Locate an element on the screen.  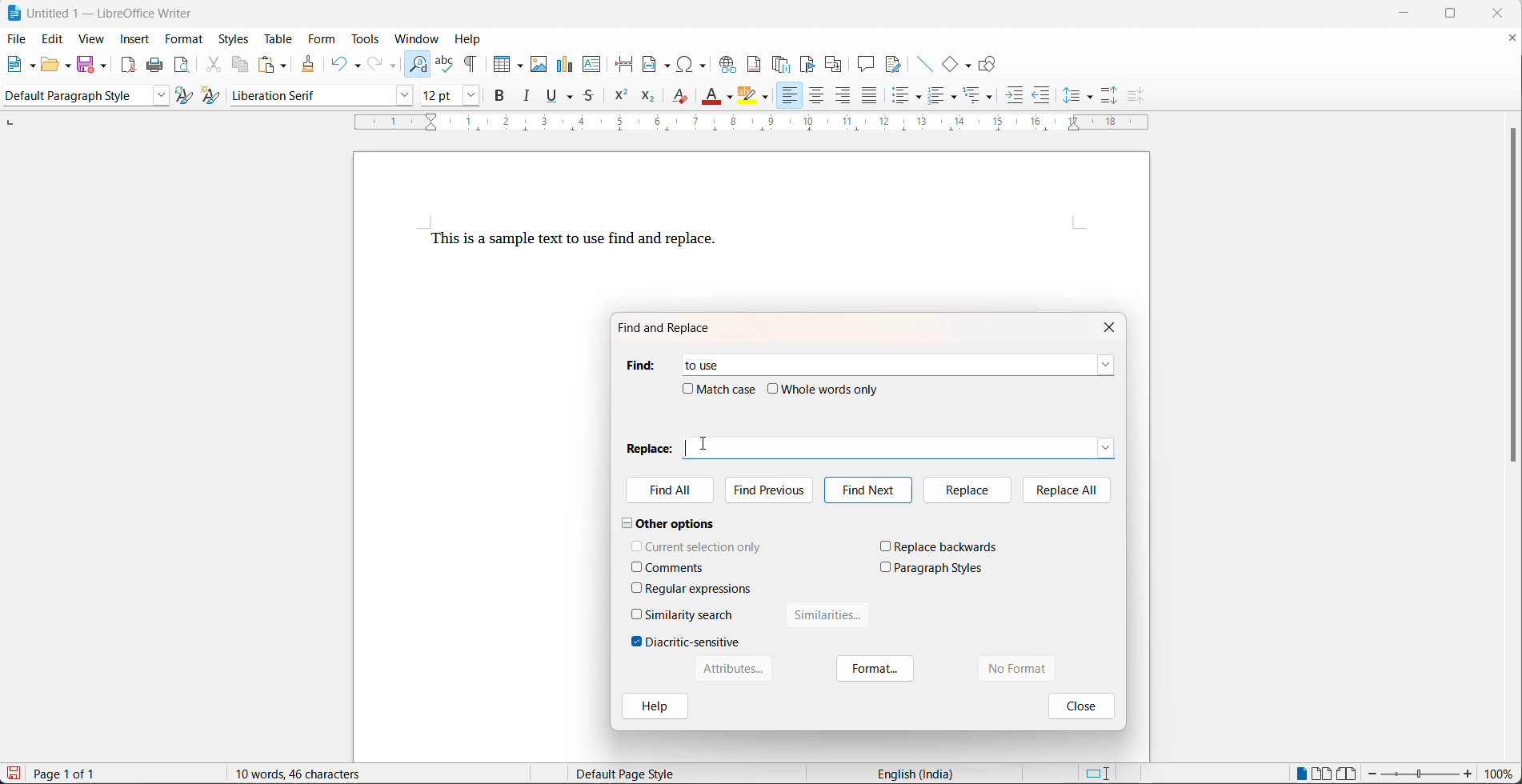
new file is located at coordinates (17, 68).